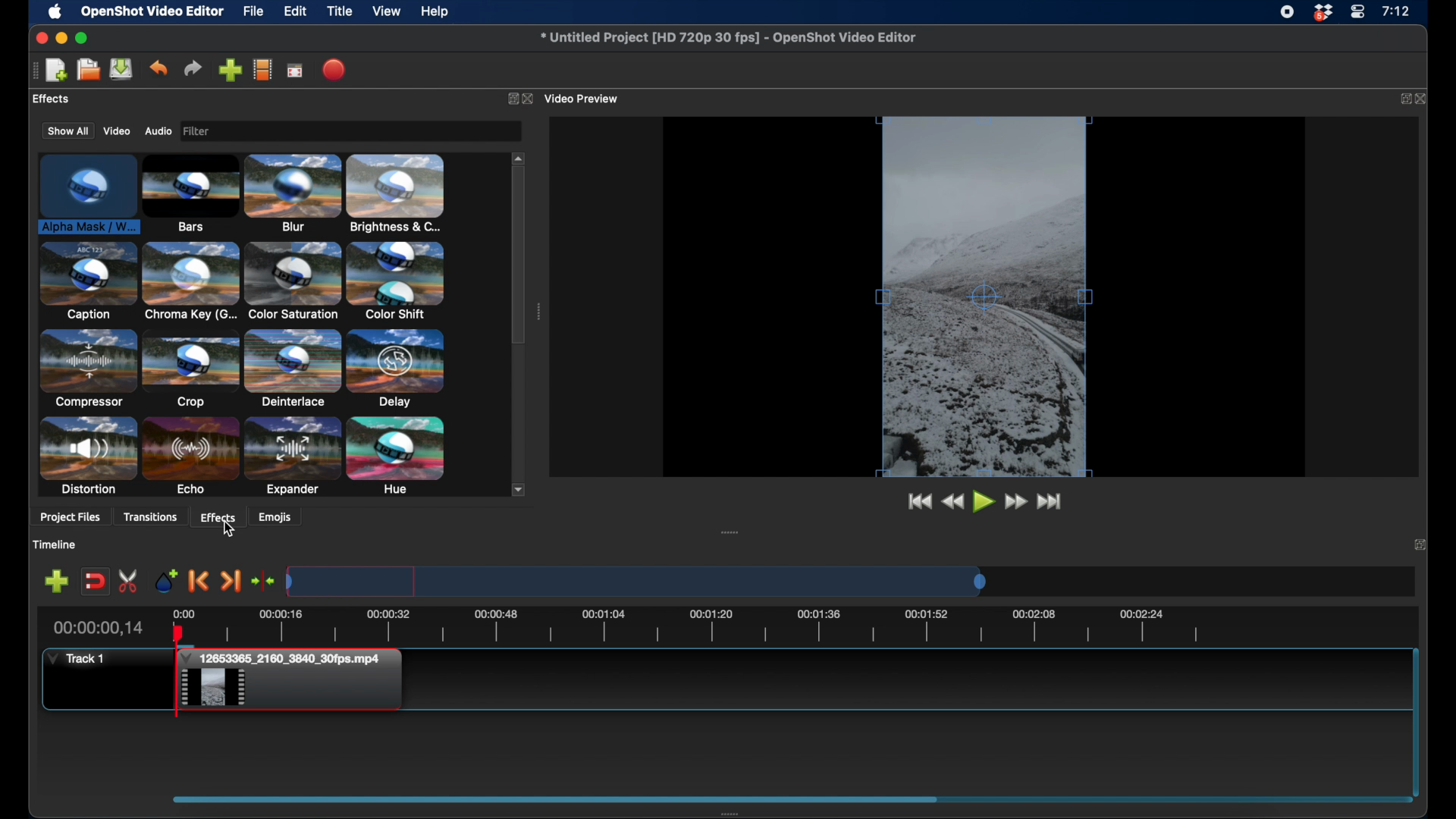  I want to click on show all, so click(67, 130).